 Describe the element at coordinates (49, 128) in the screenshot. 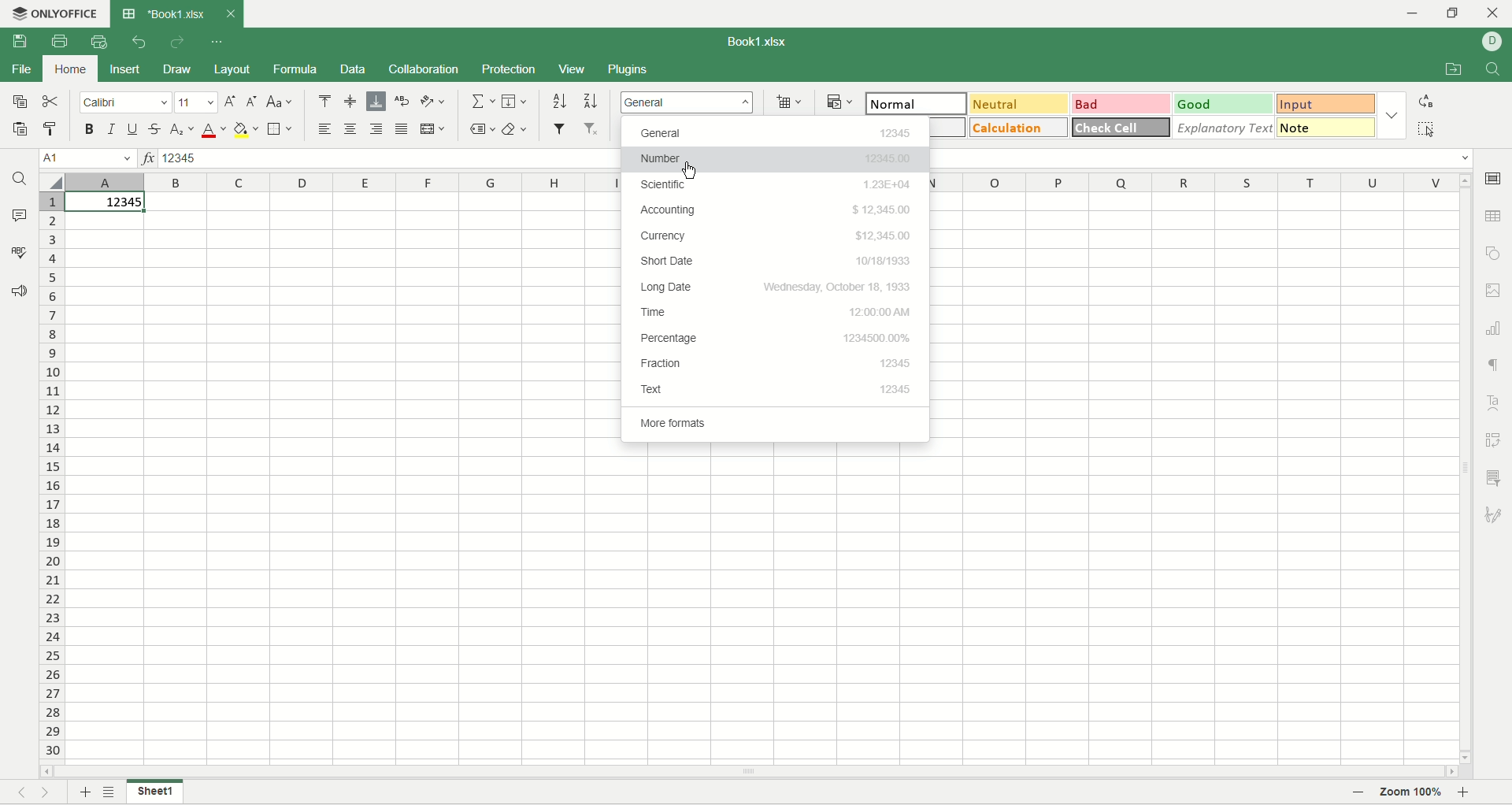

I see `copy formatting` at that location.